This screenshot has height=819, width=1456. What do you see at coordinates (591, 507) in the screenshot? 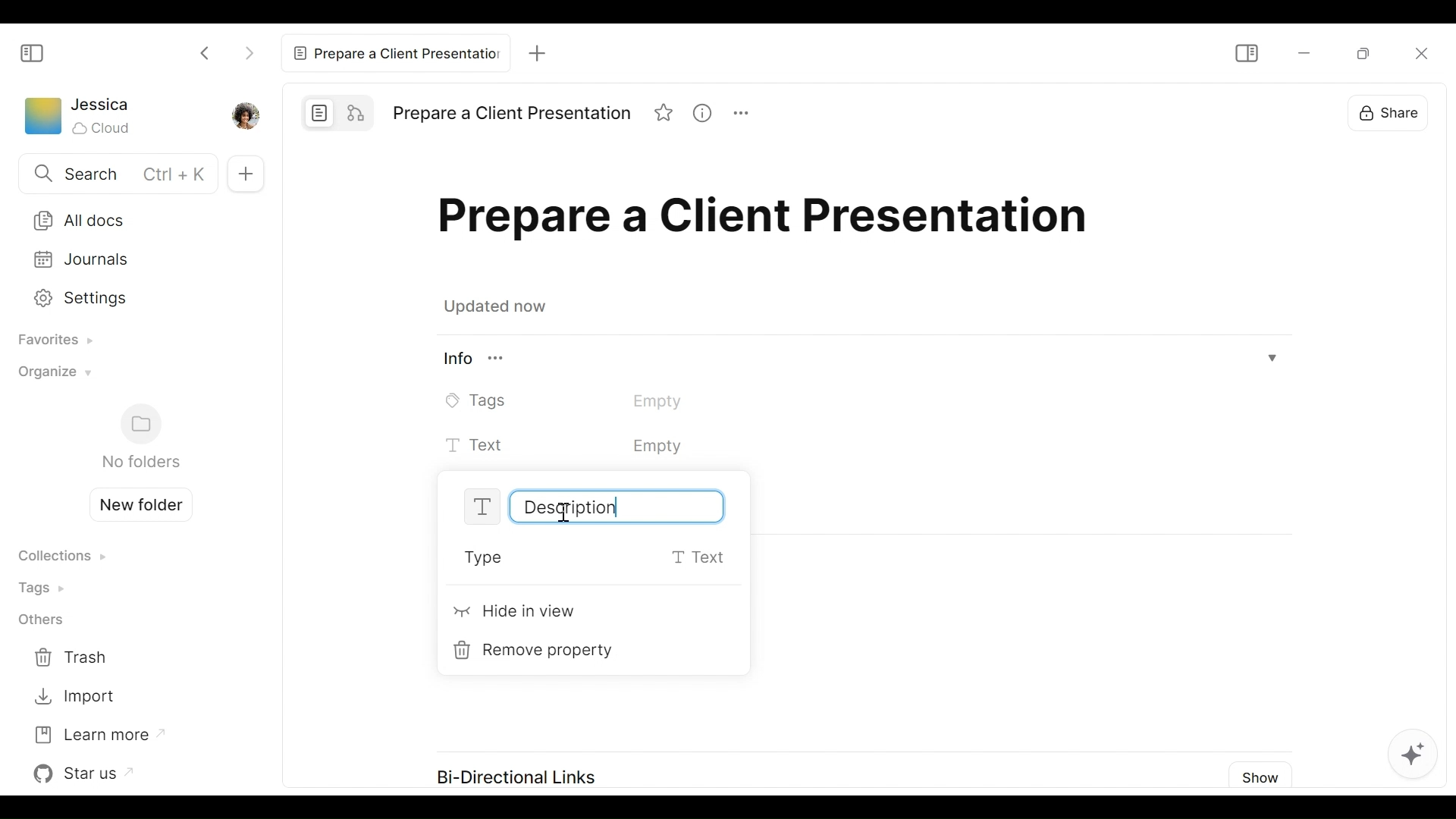
I see `Text` at bounding box center [591, 507].